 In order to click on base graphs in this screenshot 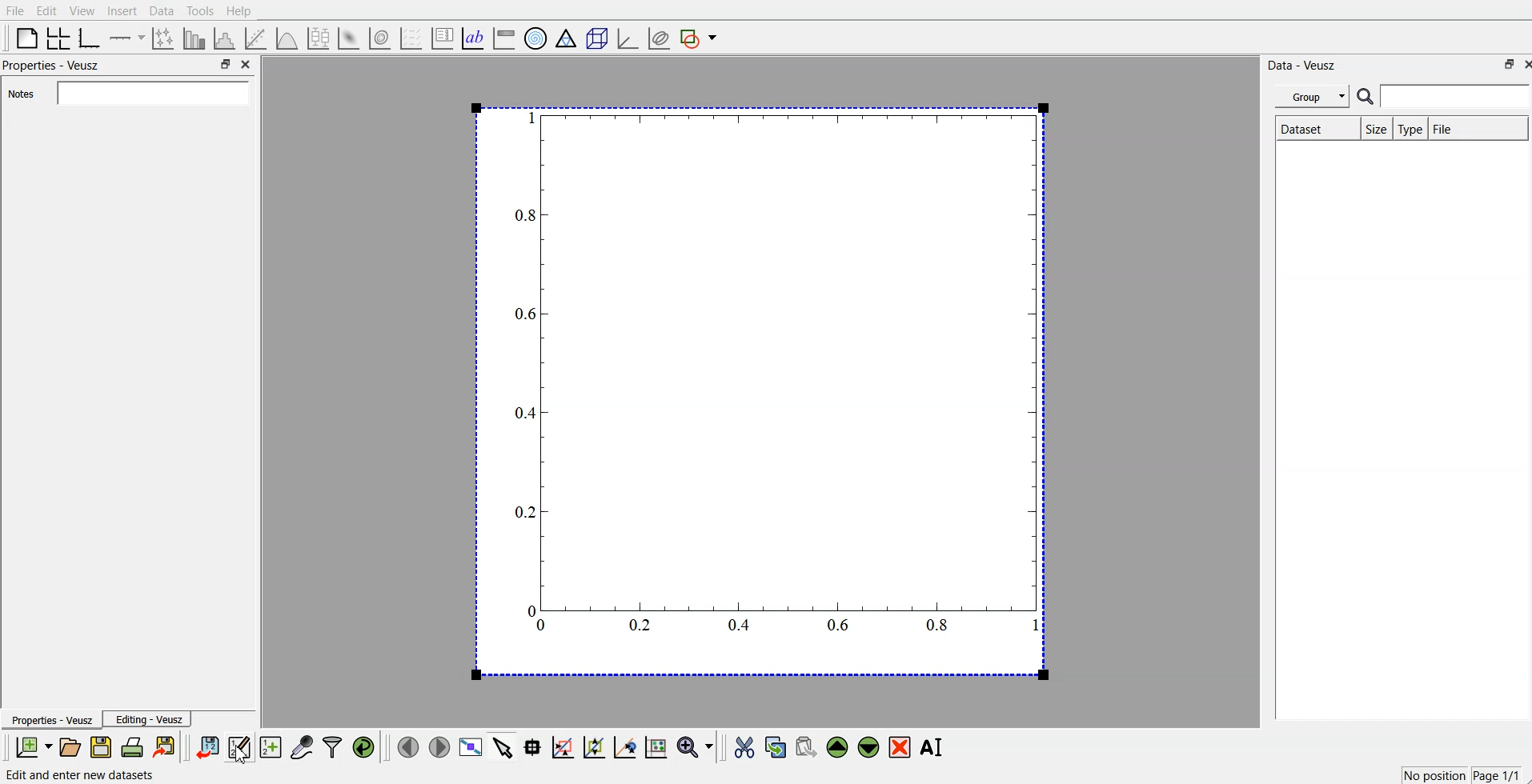, I will do `click(92, 36)`.